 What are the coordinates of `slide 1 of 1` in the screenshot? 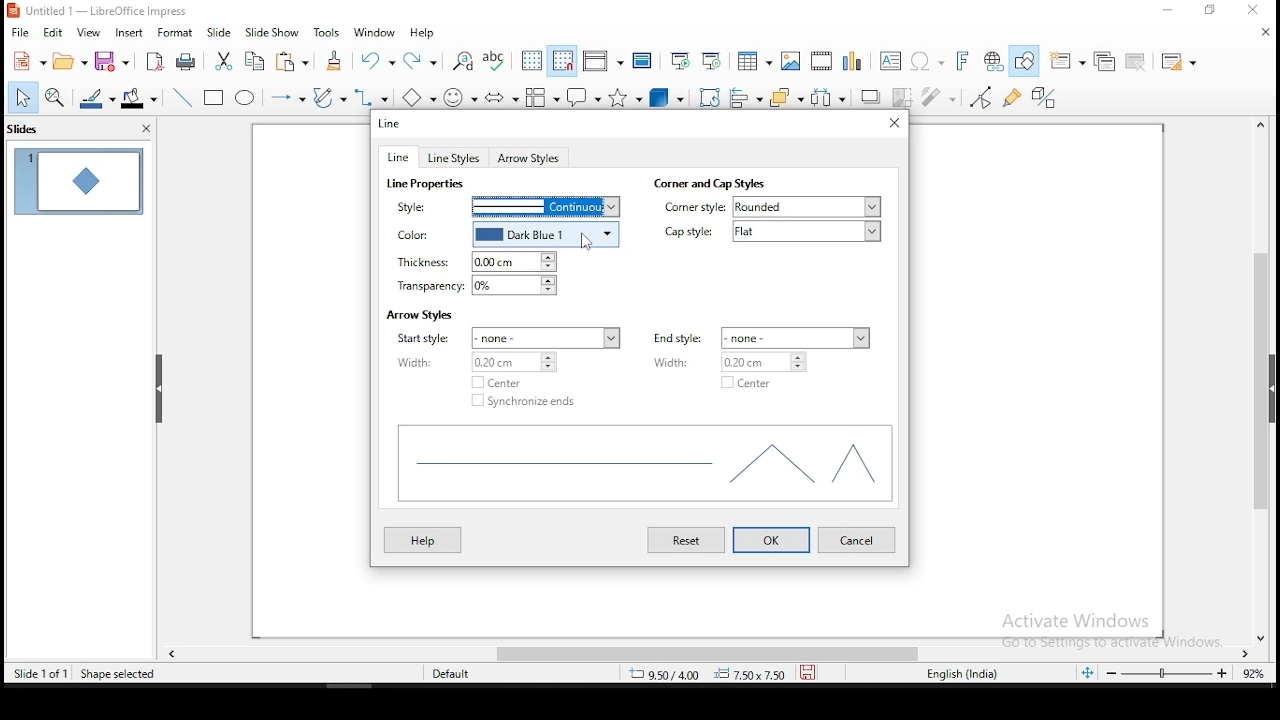 It's located at (41, 670).